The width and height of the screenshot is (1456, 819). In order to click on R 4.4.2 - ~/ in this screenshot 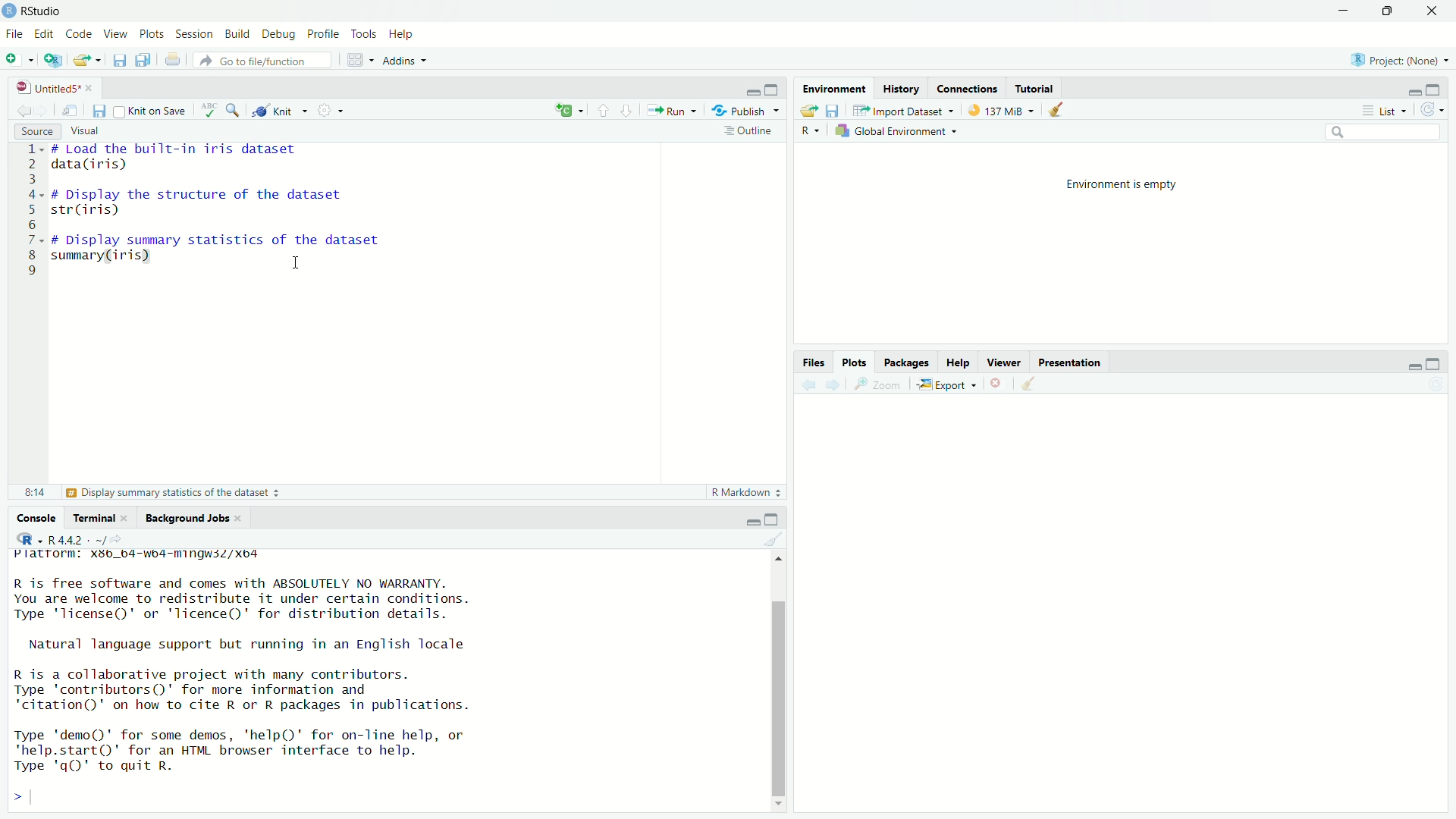, I will do `click(71, 538)`.